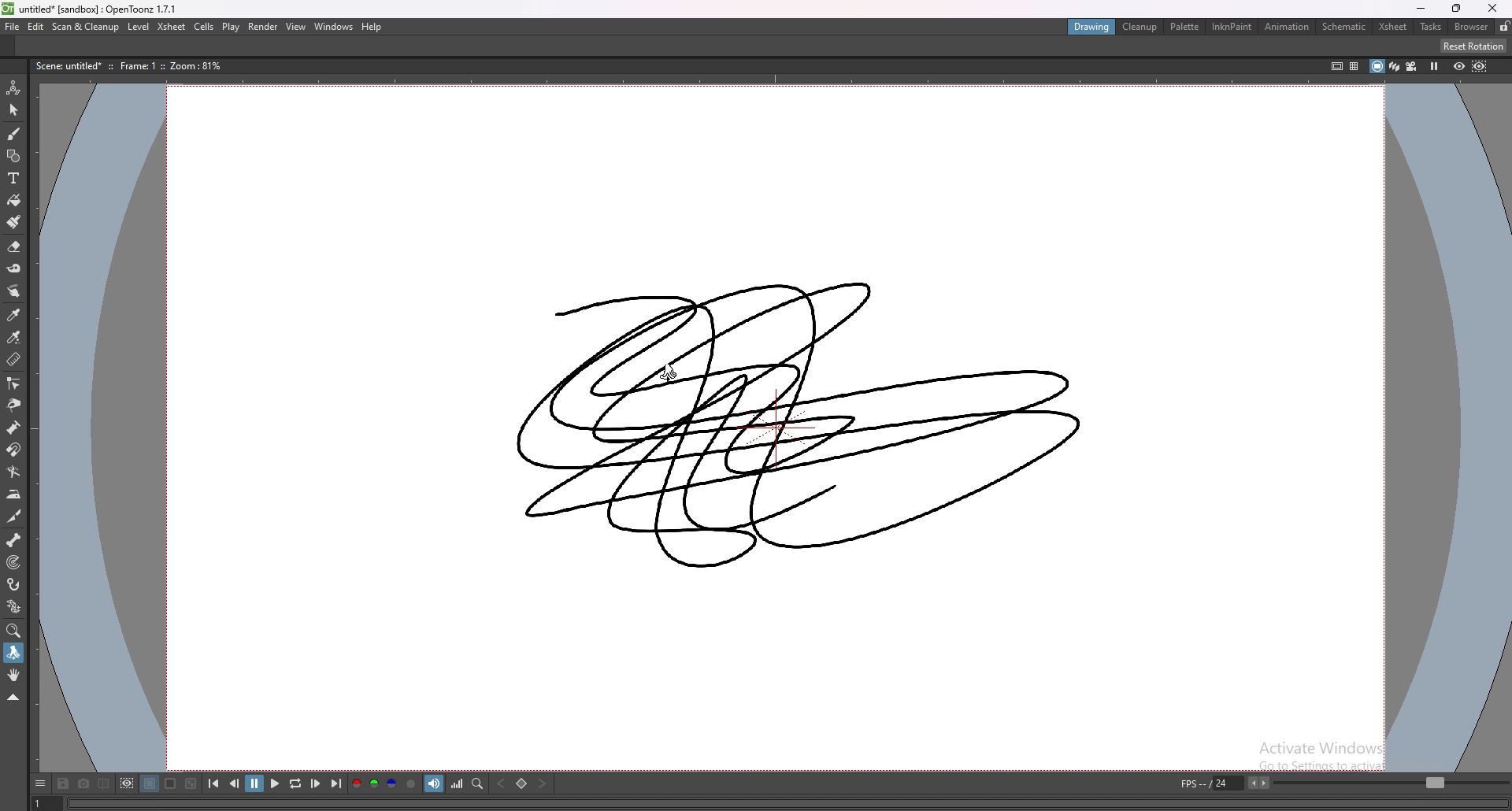 The image size is (1512, 811). Describe the element at coordinates (39, 784) in the screenshot. I see `options` at that location.